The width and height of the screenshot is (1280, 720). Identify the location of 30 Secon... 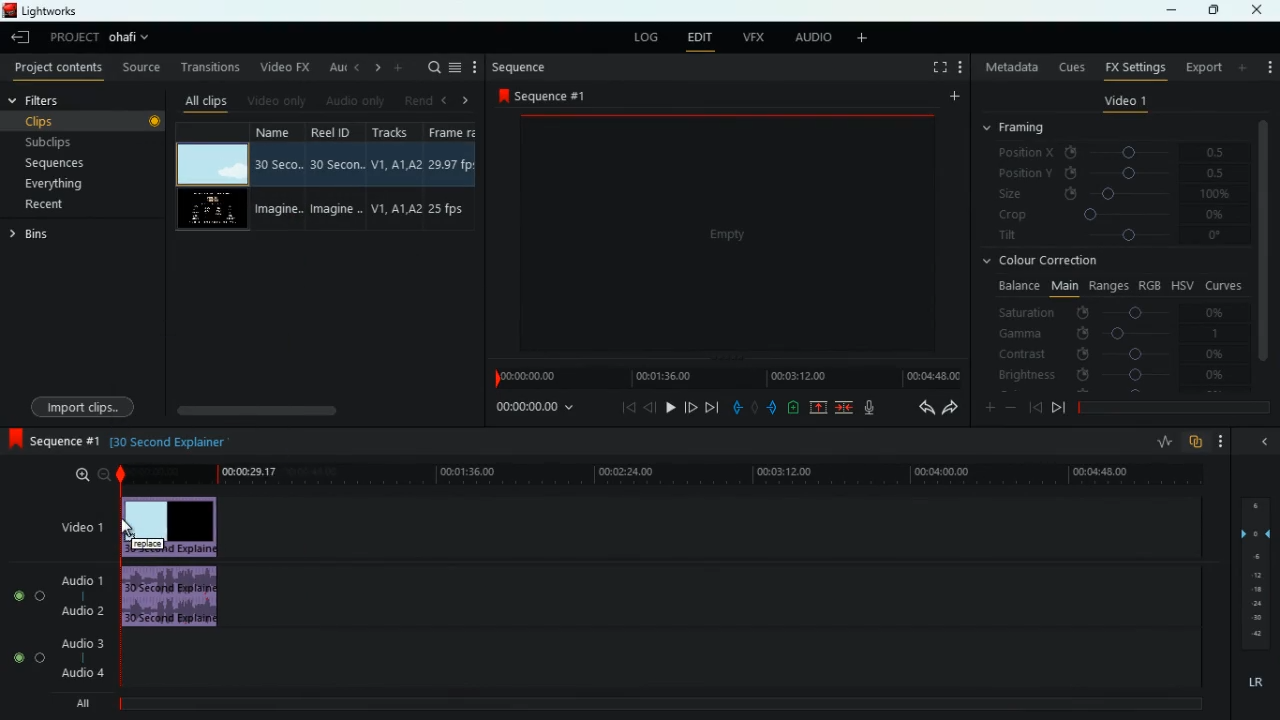
(339, 162).